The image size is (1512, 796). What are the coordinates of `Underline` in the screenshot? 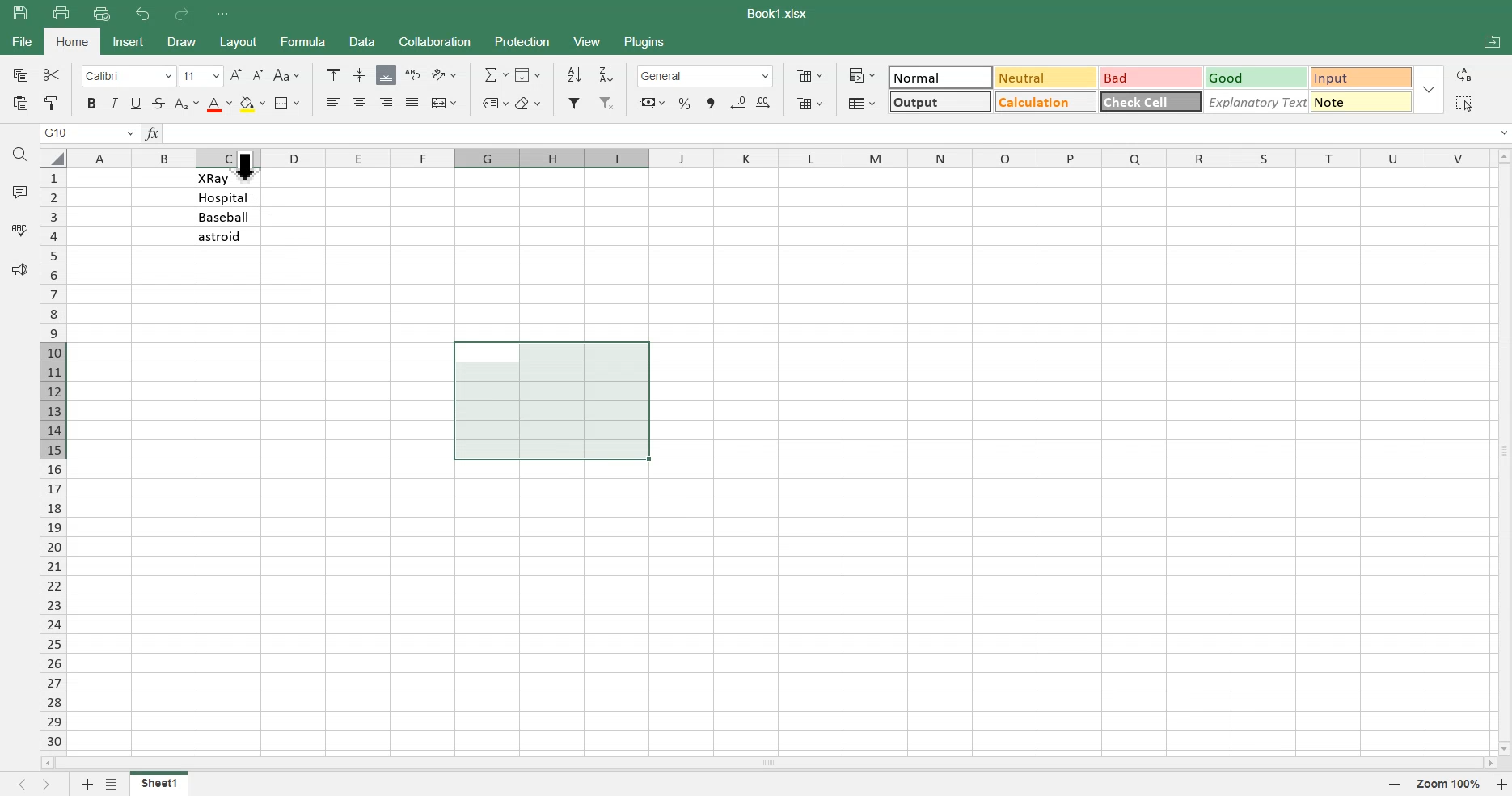 It's located at (137, 103).